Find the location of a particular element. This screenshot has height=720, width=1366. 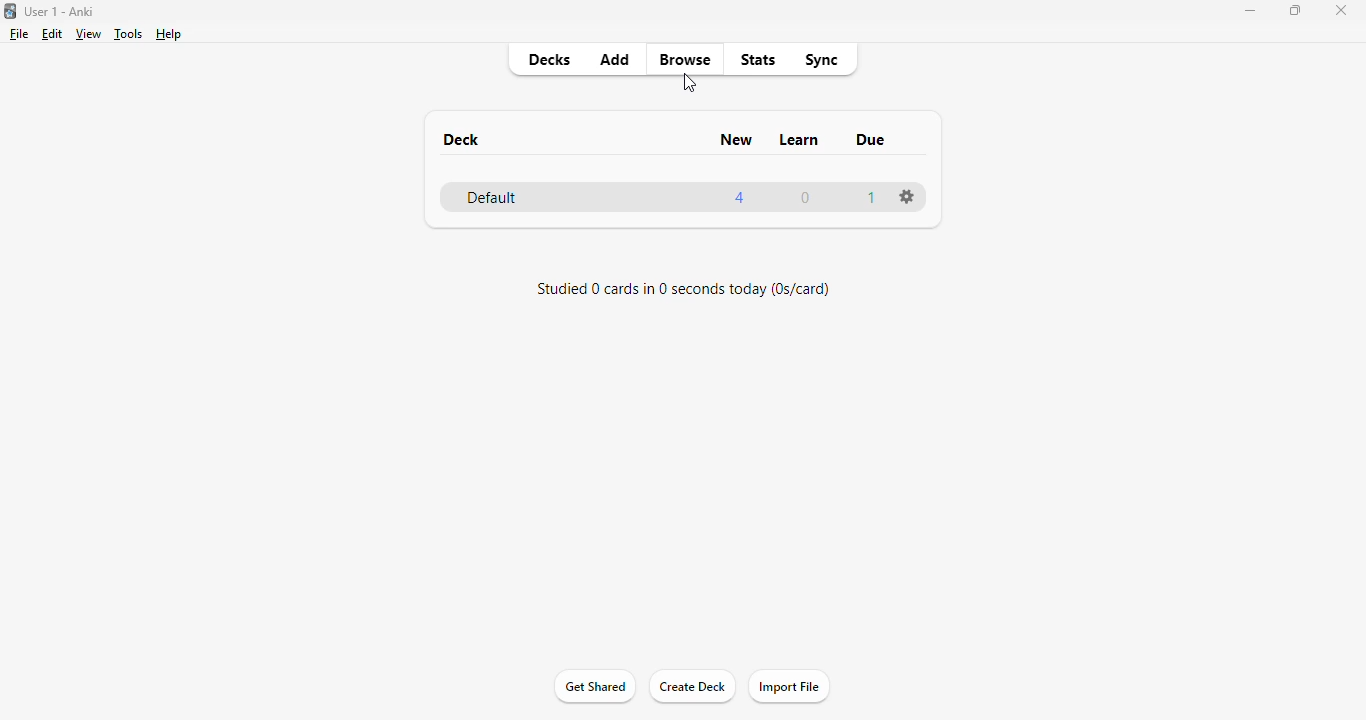

due is located at coordinates (872, 139).